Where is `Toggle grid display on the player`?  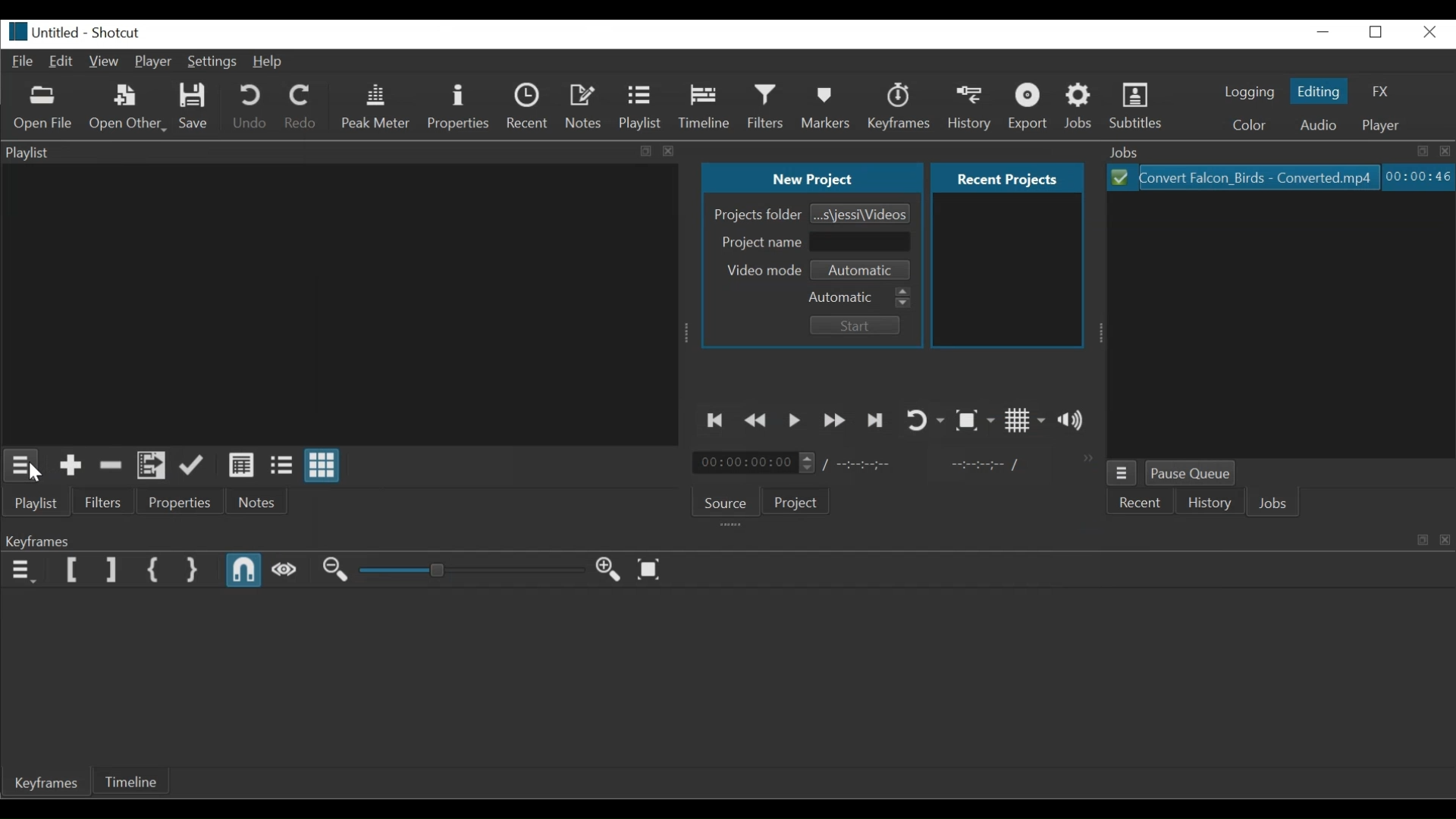 Toggle grid display on the player is located at coordinates (1025, 419).